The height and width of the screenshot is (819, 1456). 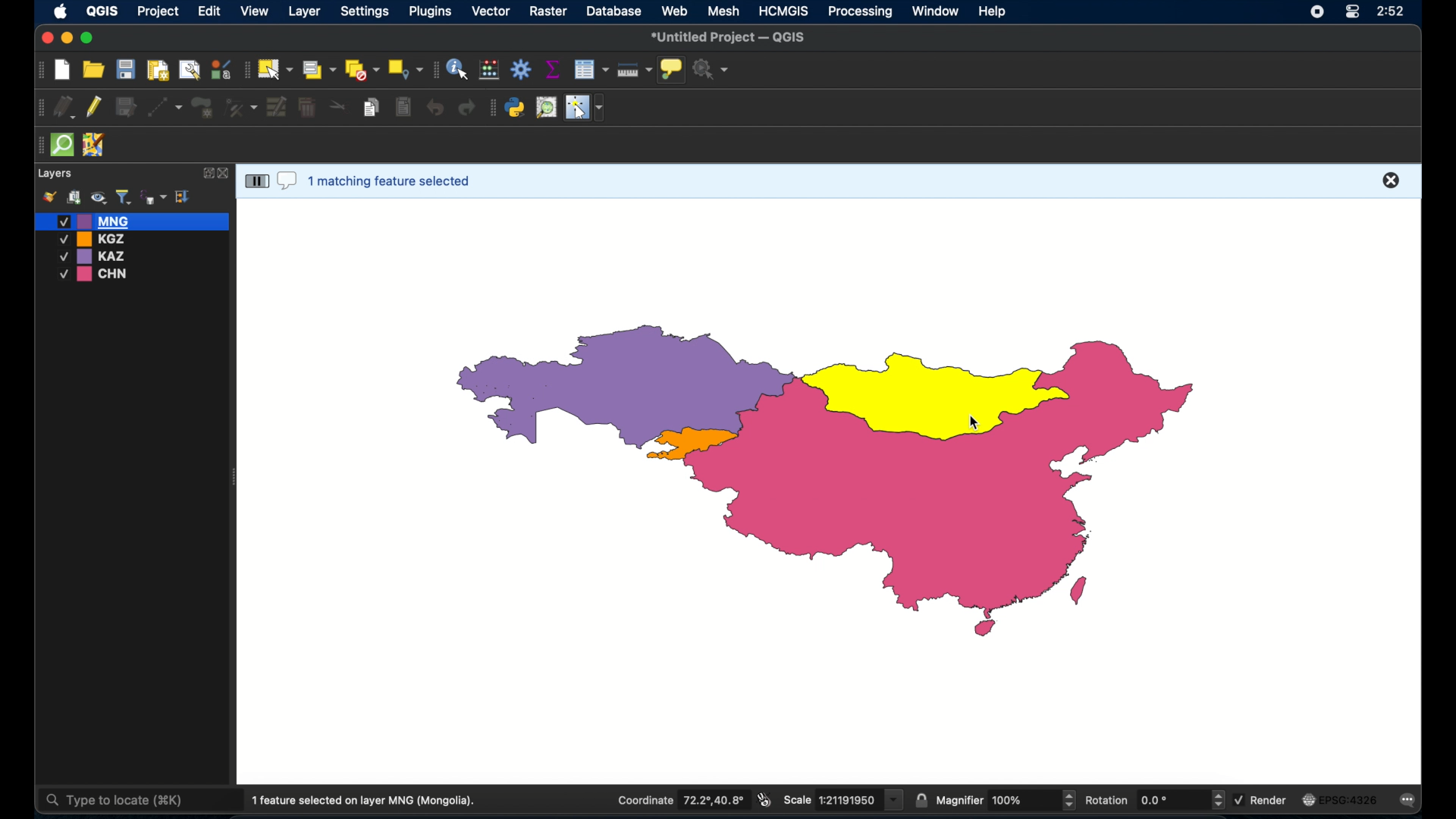 I want to click on lock scale, so click(x=921, y=801).